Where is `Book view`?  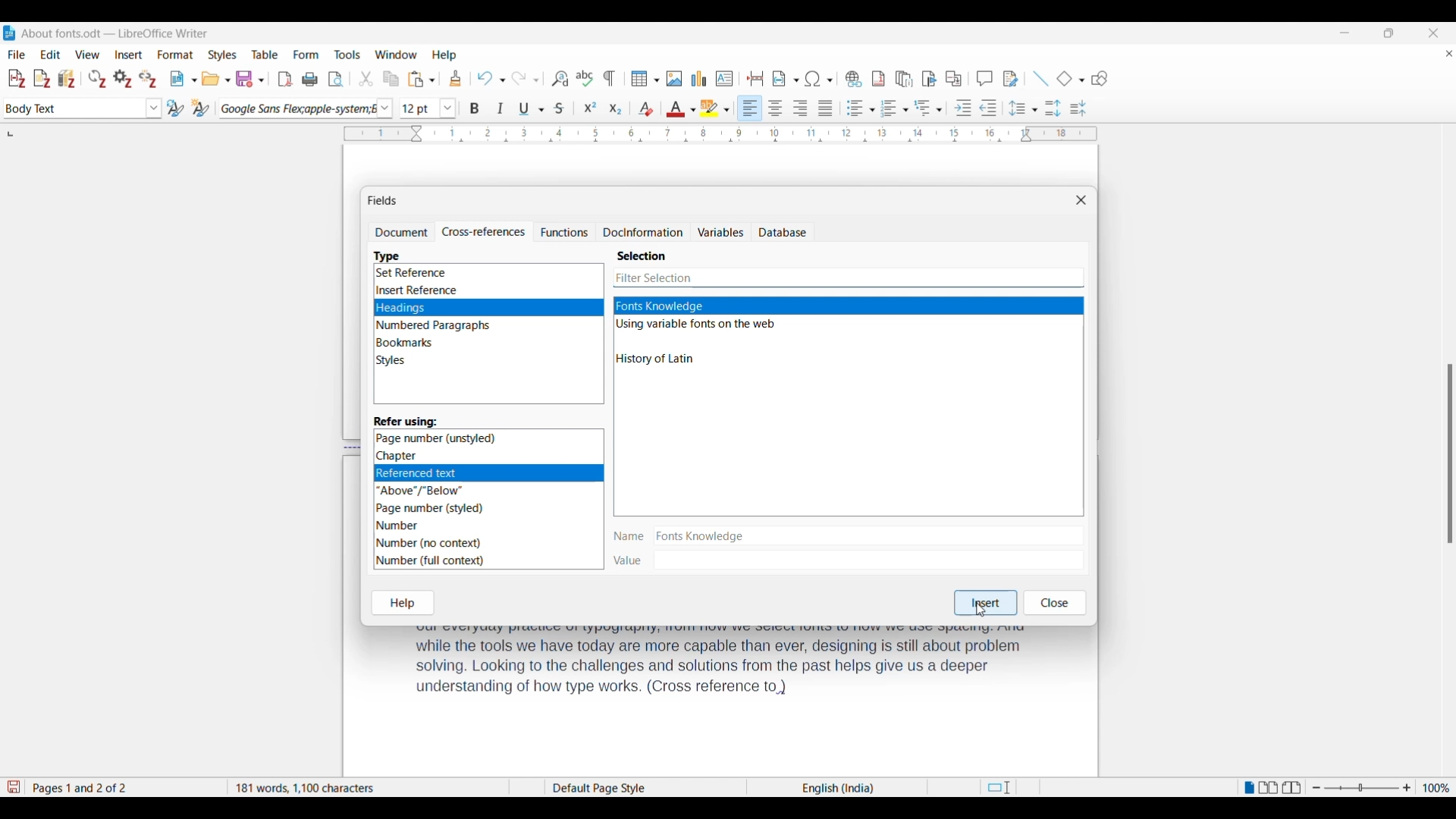
Book view is located at coordinates (1292, 787).